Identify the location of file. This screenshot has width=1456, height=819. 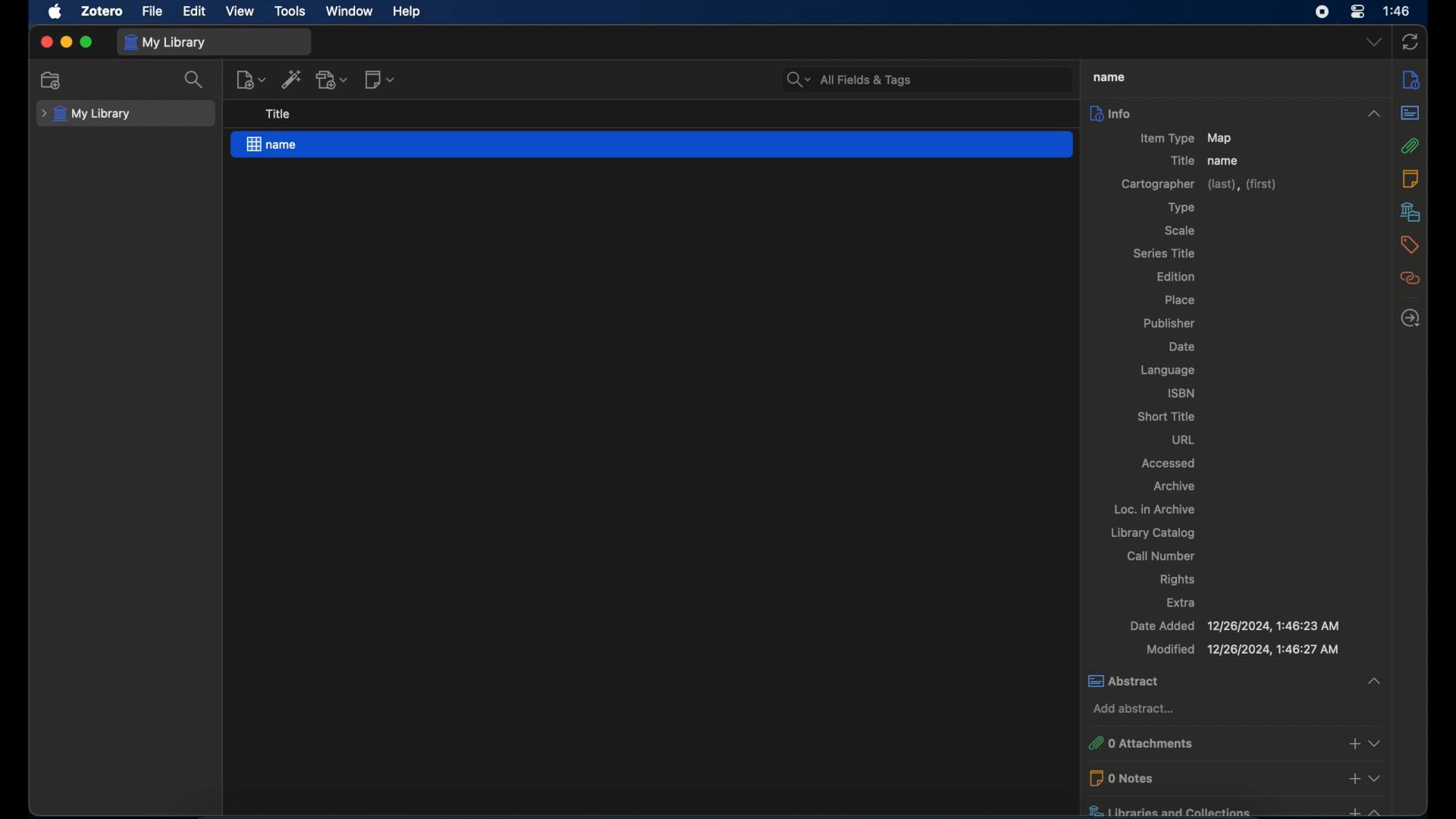
(152, 11).